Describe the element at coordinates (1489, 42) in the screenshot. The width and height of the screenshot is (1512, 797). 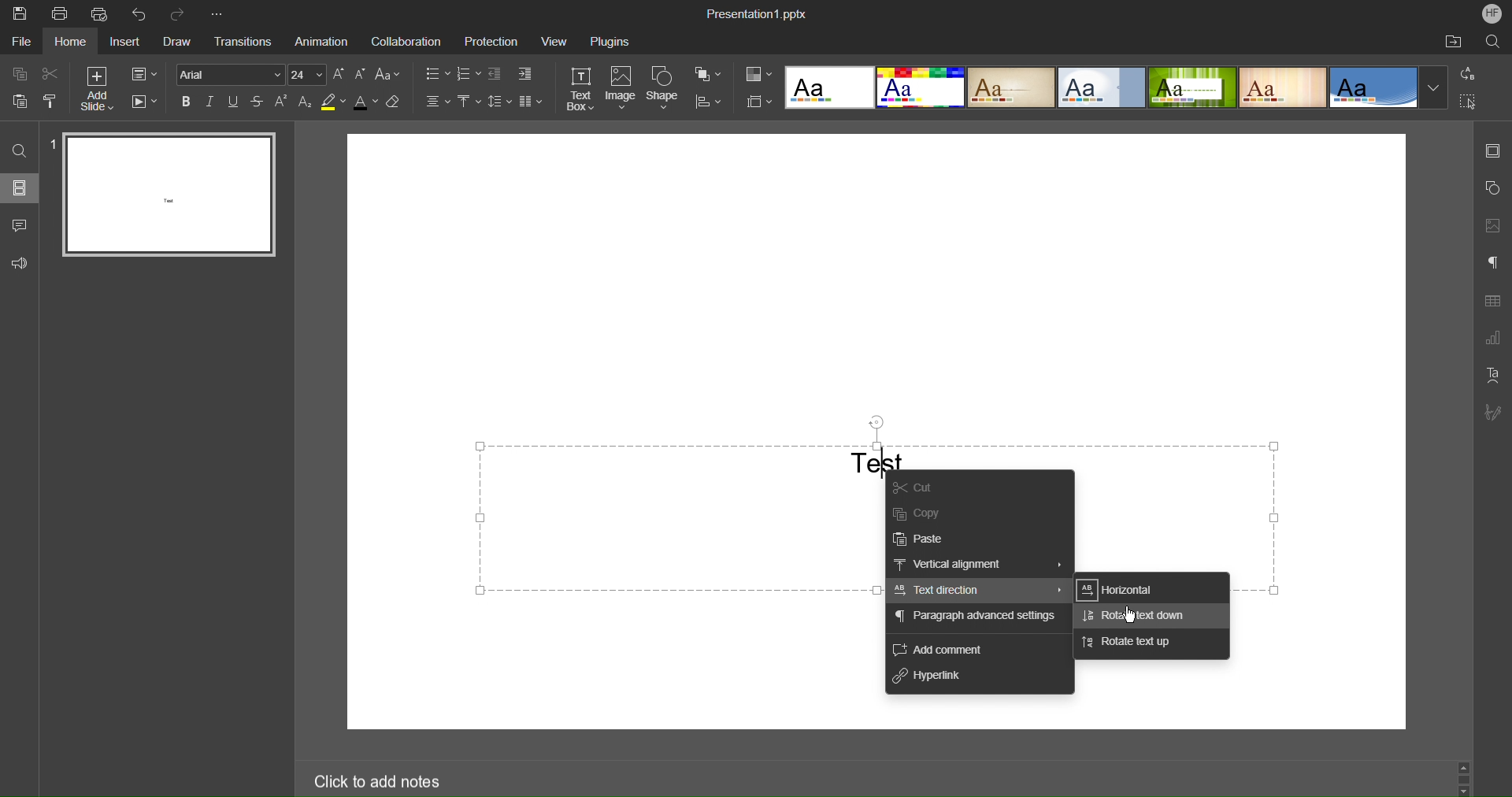
I see `Search` at that location.